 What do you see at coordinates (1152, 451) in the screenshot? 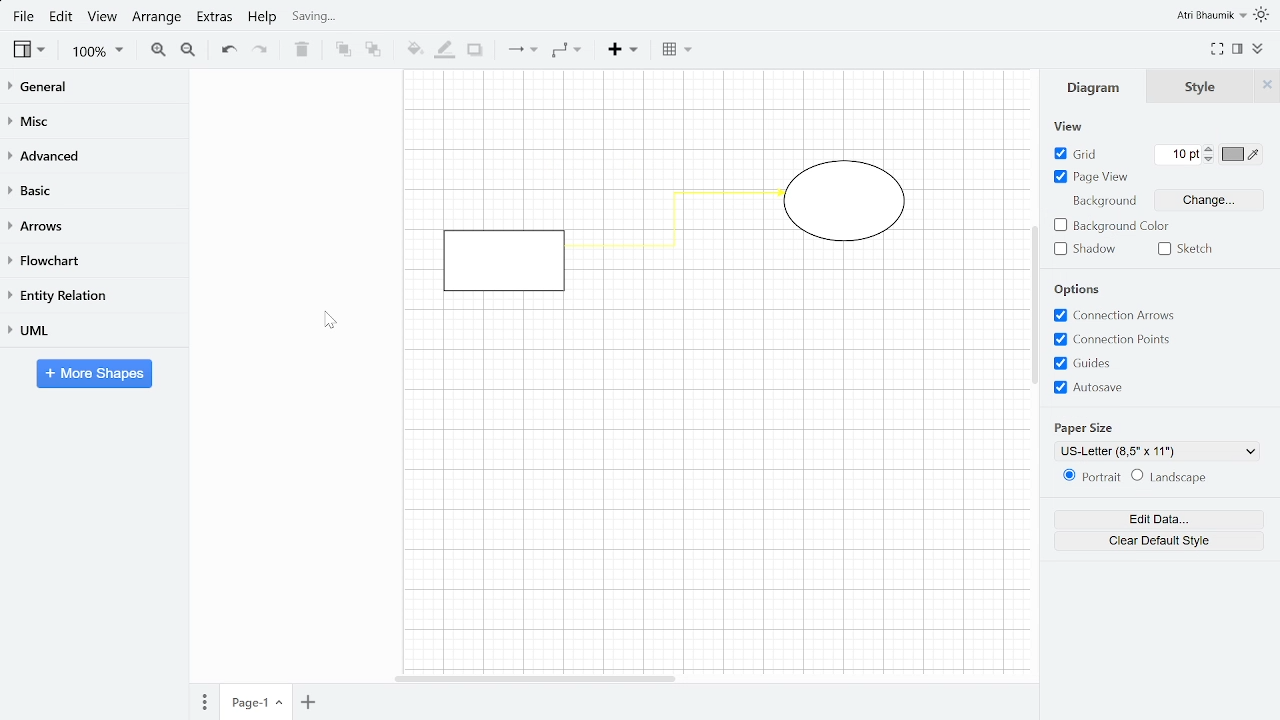
I see `Current paper size` at bounding box center [1152, 451].